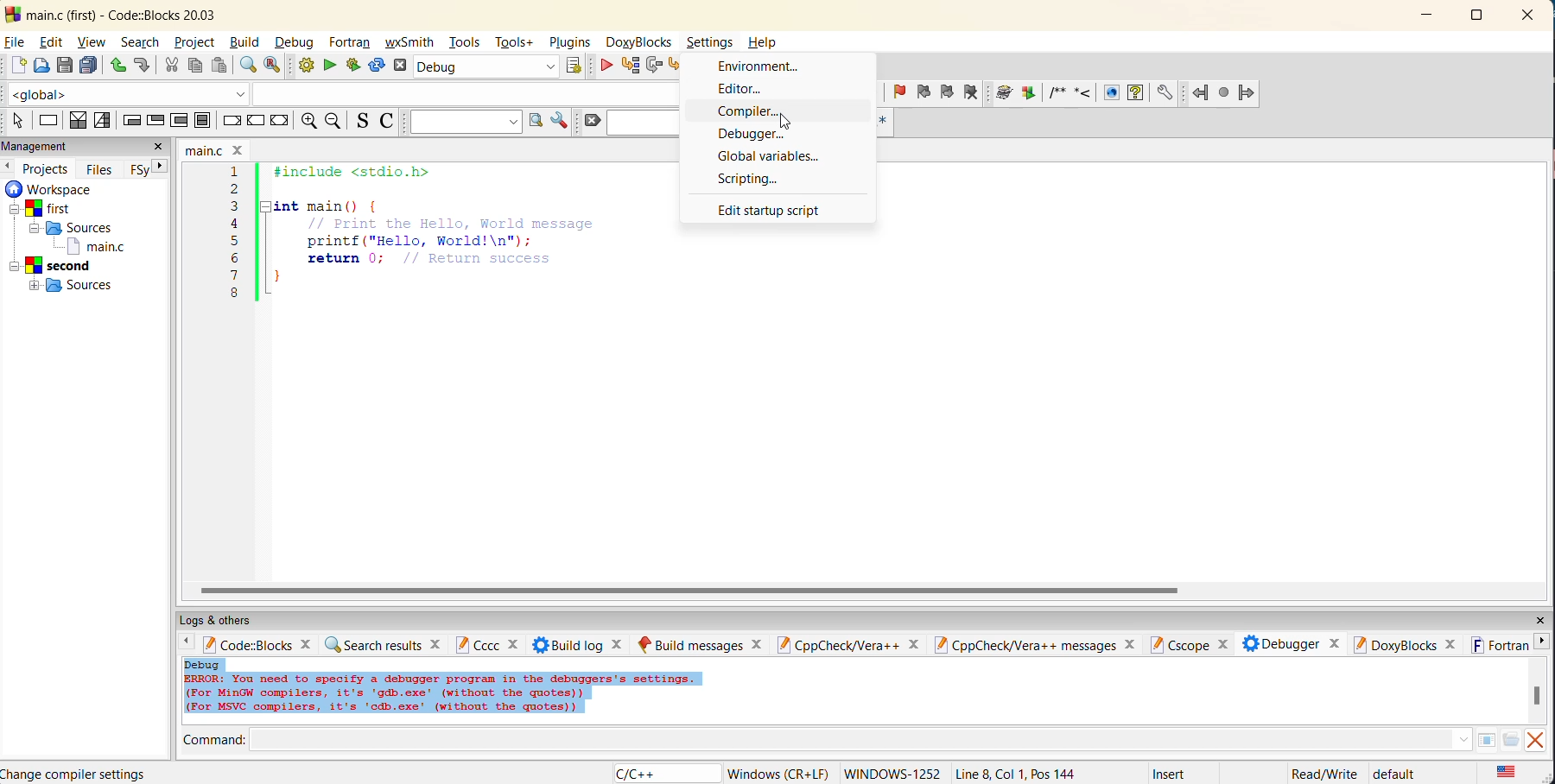  I want to click on build messages, so click(703, 643).